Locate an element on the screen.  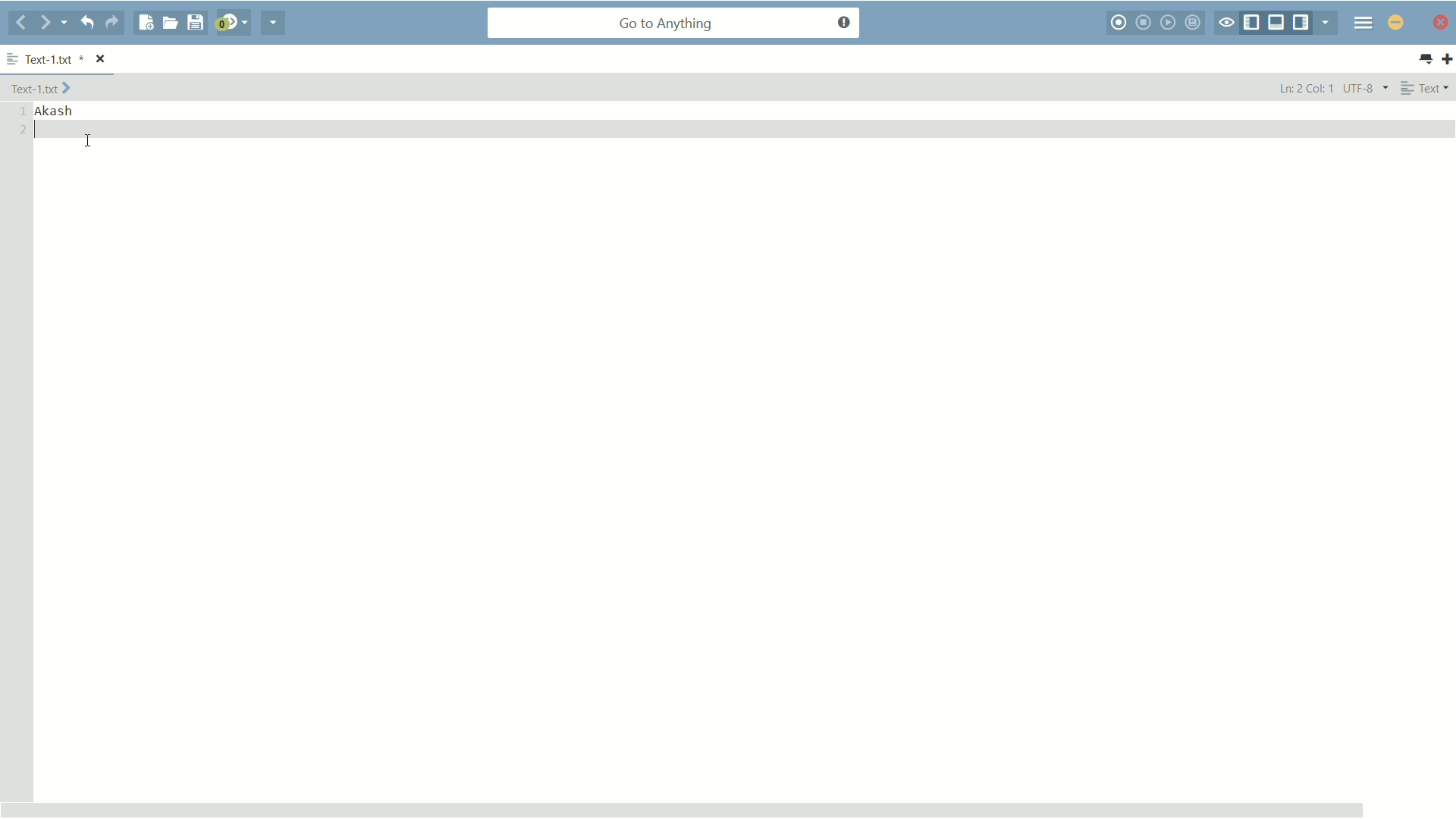
close app is located at coordinates (1442, 23).